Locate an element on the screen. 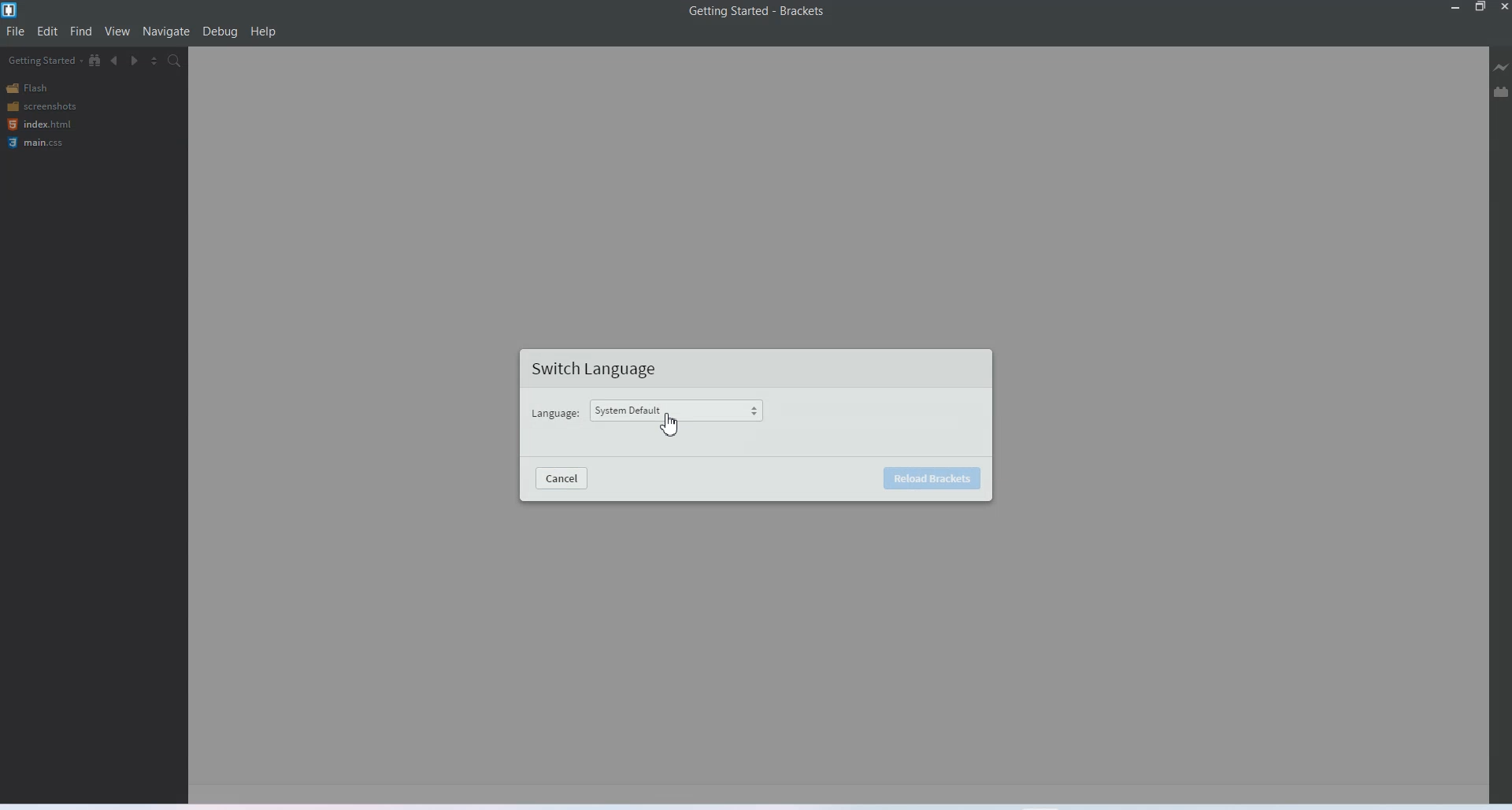 The height and width of the screenshot is (810, 1512). Language adjuster is located at coordinates (683, 411).